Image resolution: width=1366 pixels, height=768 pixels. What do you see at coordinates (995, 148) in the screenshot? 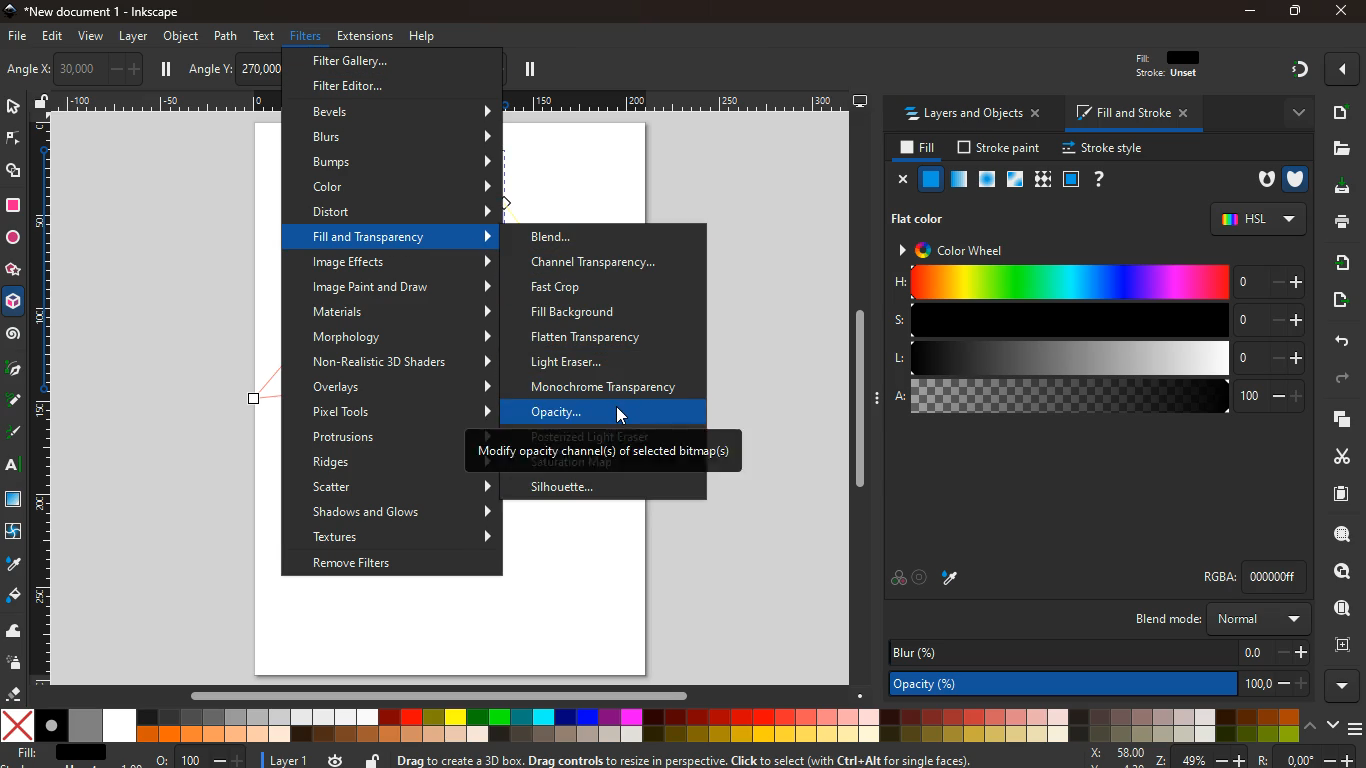
I see `stroke paint` at bounding box center [995, 148].